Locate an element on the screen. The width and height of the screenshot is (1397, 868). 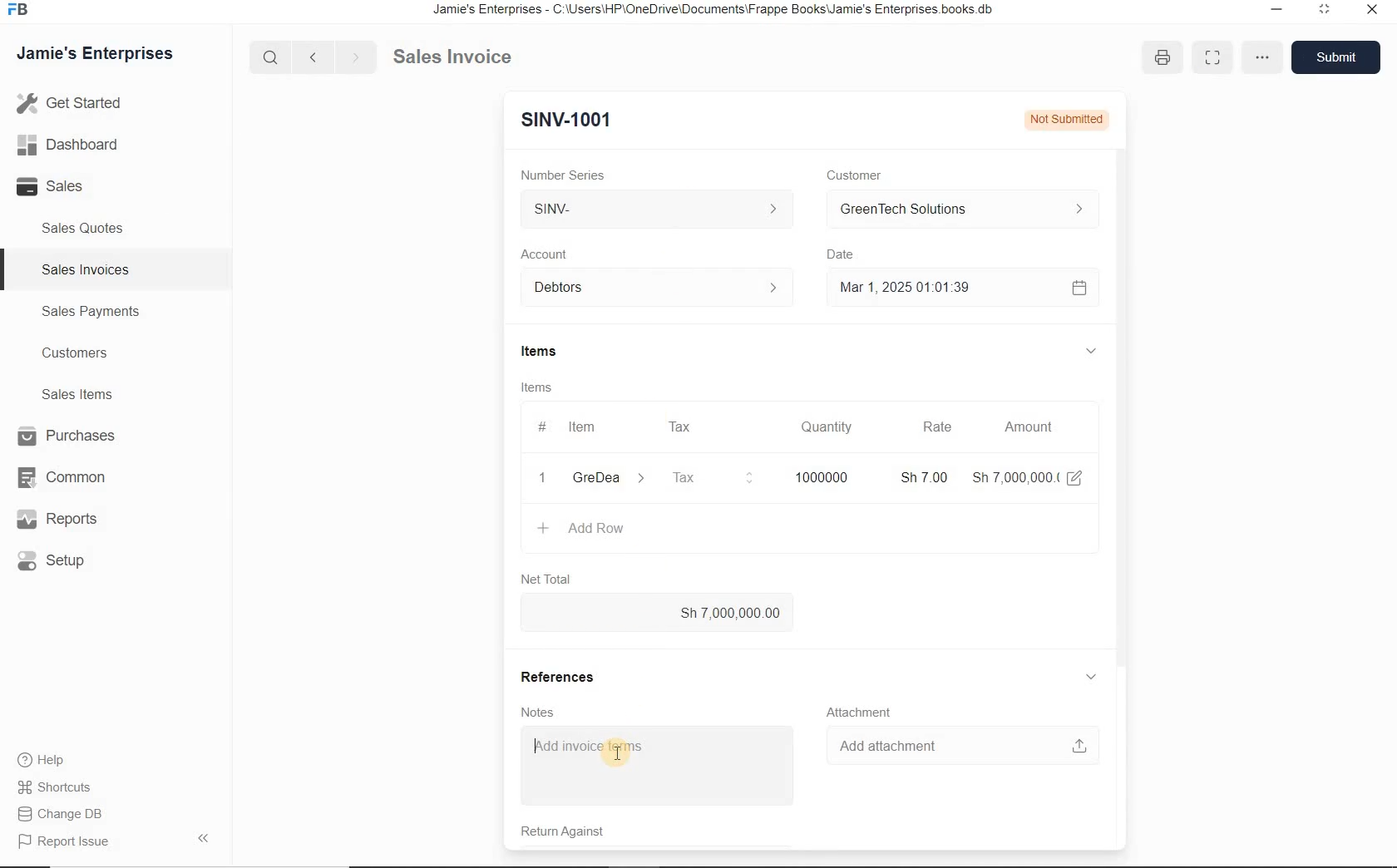
GreDea  is located at coordinates (606, 479).